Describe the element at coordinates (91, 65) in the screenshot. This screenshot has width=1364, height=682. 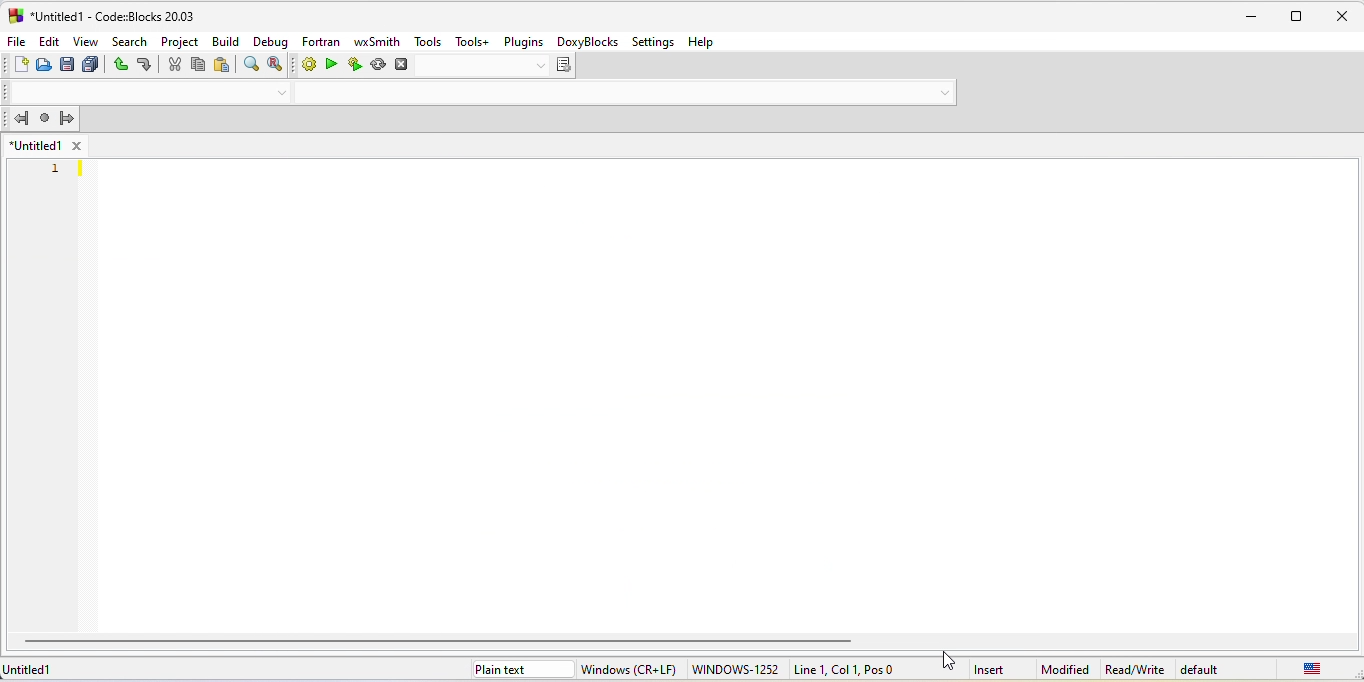
I see `save everything` at that location.